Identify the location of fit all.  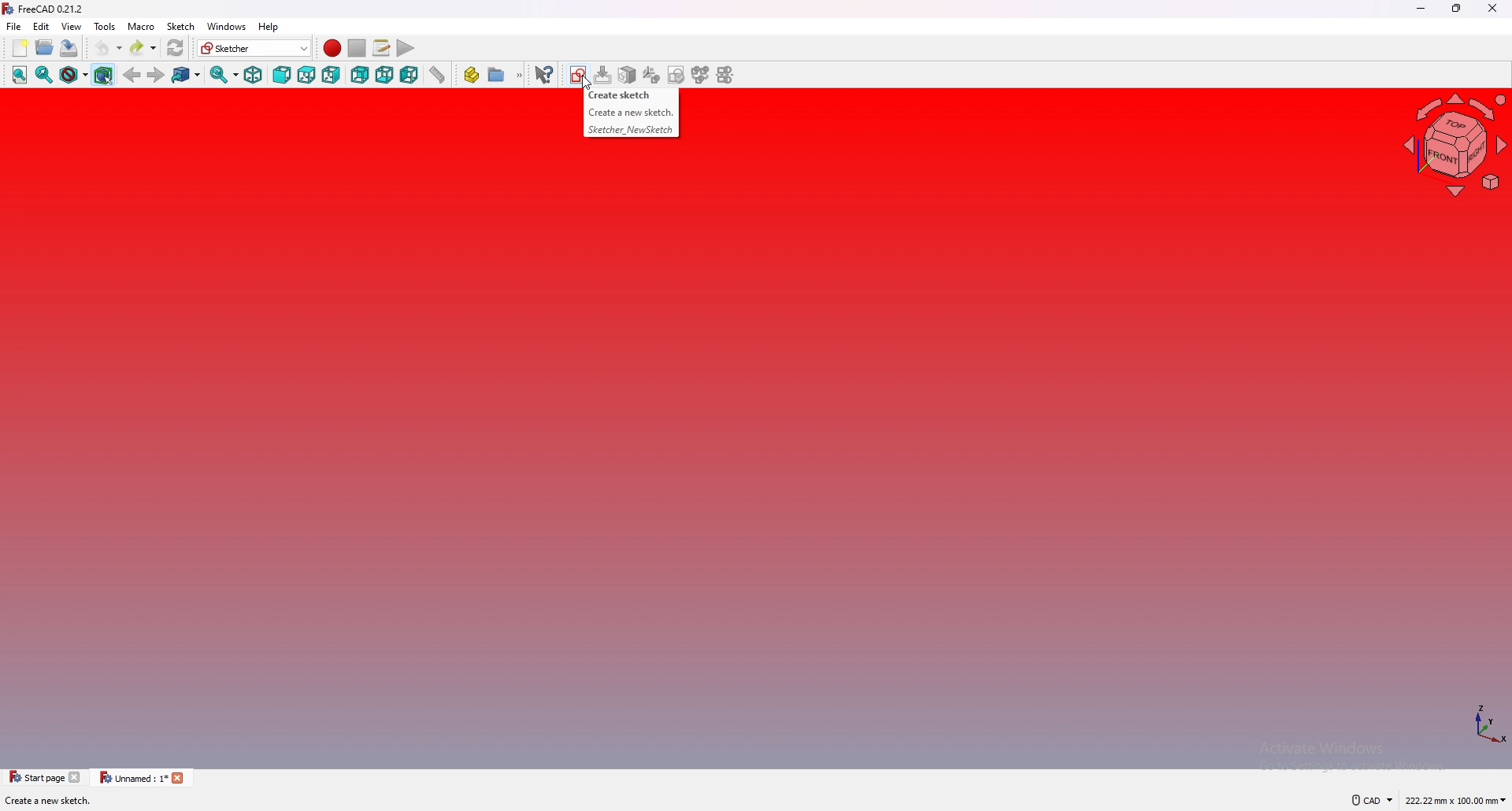
(19, 75).